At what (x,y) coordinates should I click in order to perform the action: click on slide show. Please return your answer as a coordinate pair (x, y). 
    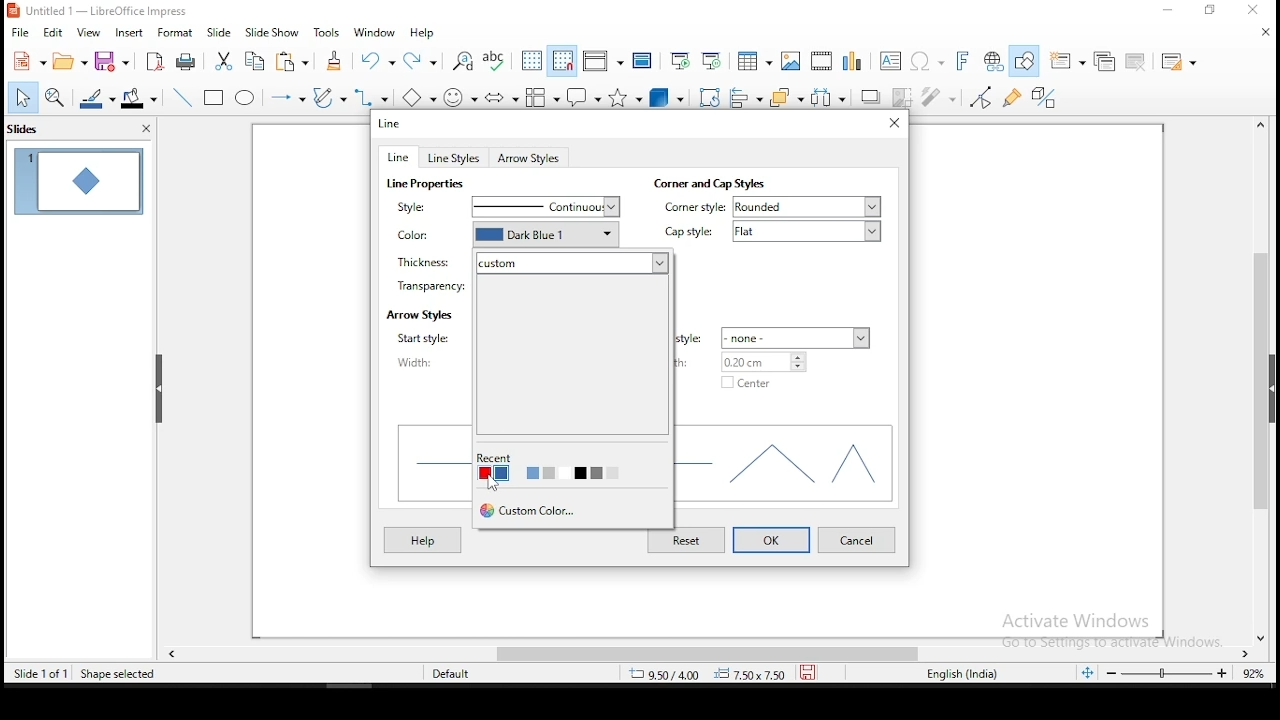
    Looking at the image, I should click on (271, 31).